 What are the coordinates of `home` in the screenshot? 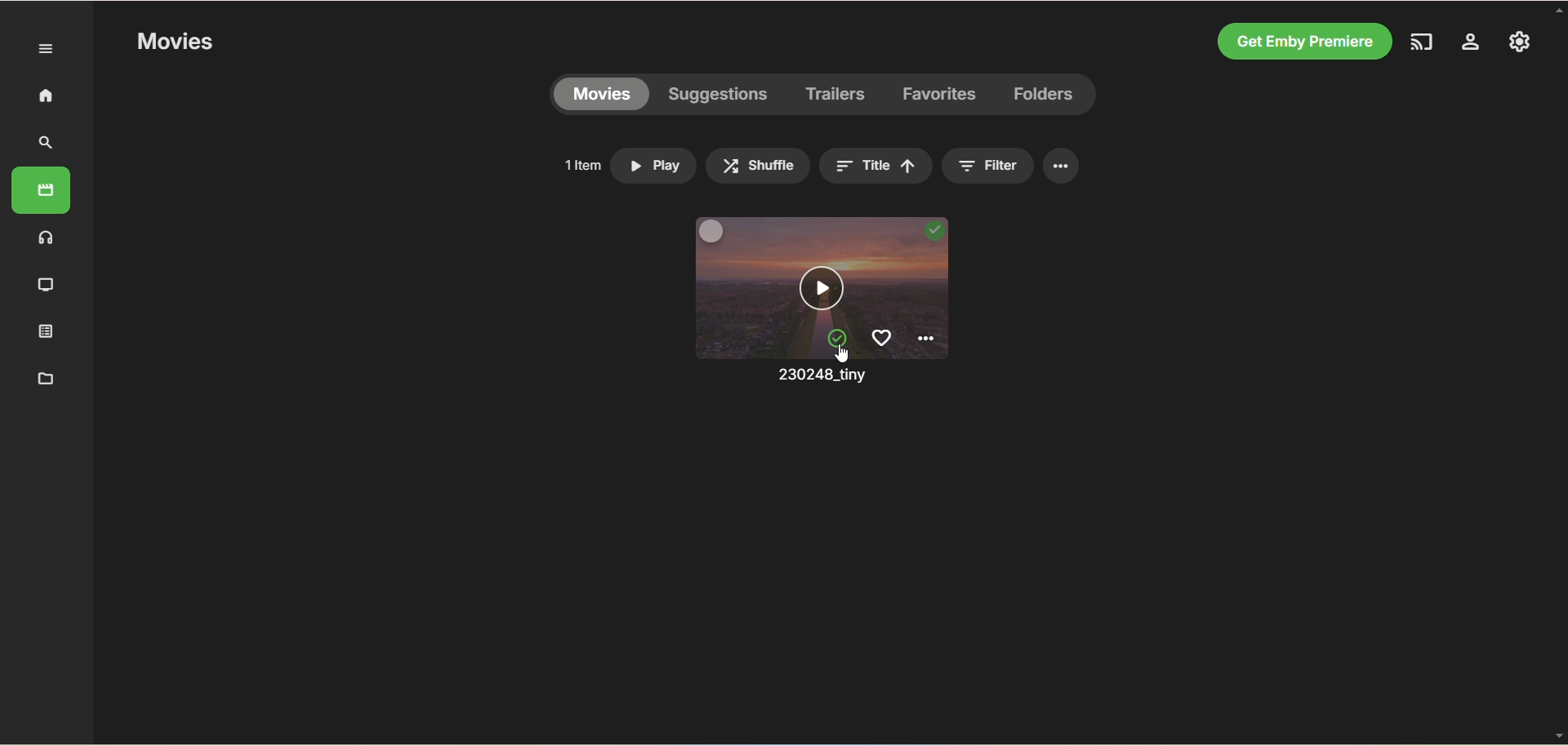 It's located at (42, 97).